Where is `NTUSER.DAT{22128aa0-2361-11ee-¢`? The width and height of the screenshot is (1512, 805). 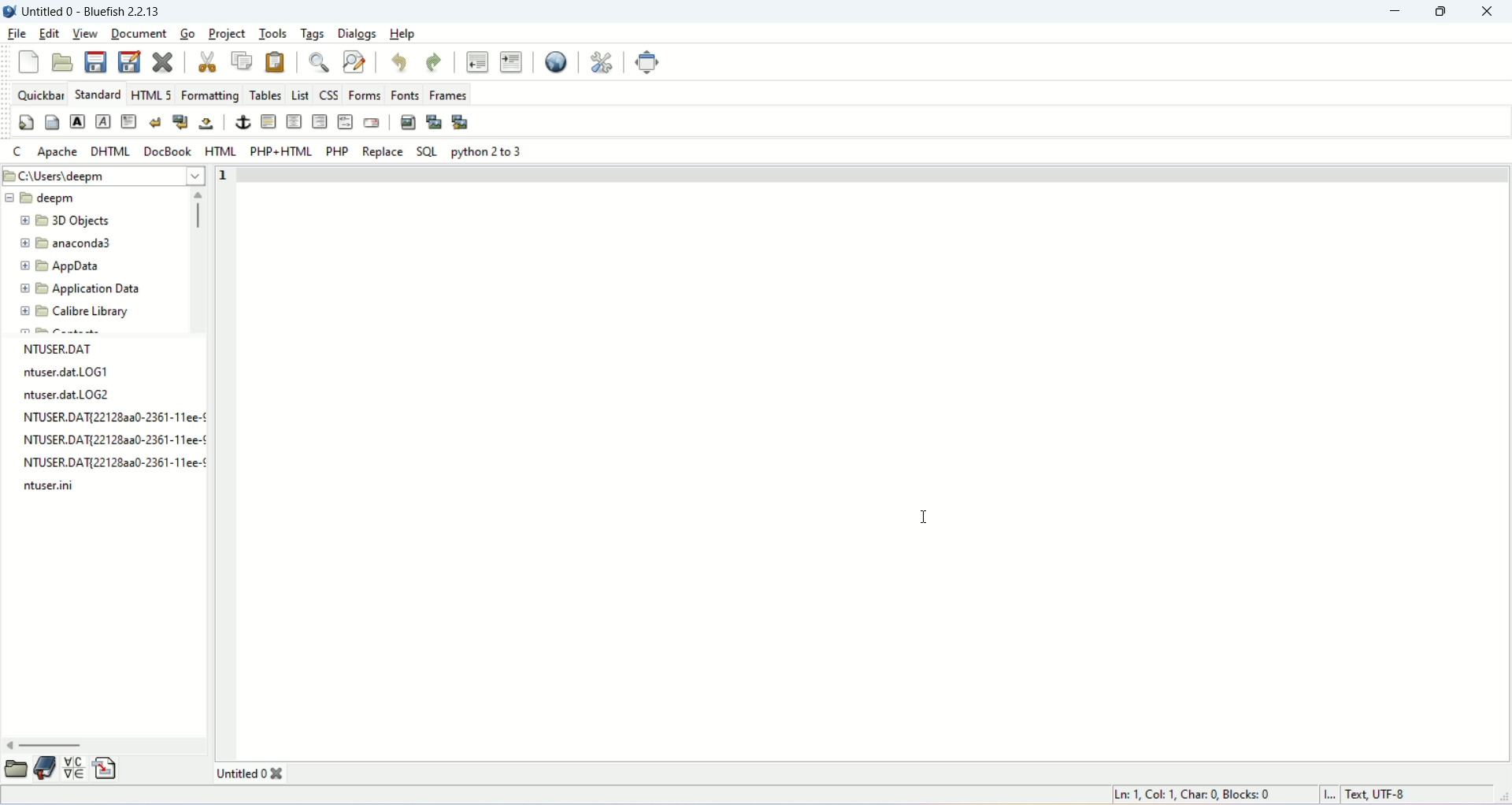 NTUSER.DAT{22128aa0-2361-11ee-¢ is located at coordinates (109, 418).